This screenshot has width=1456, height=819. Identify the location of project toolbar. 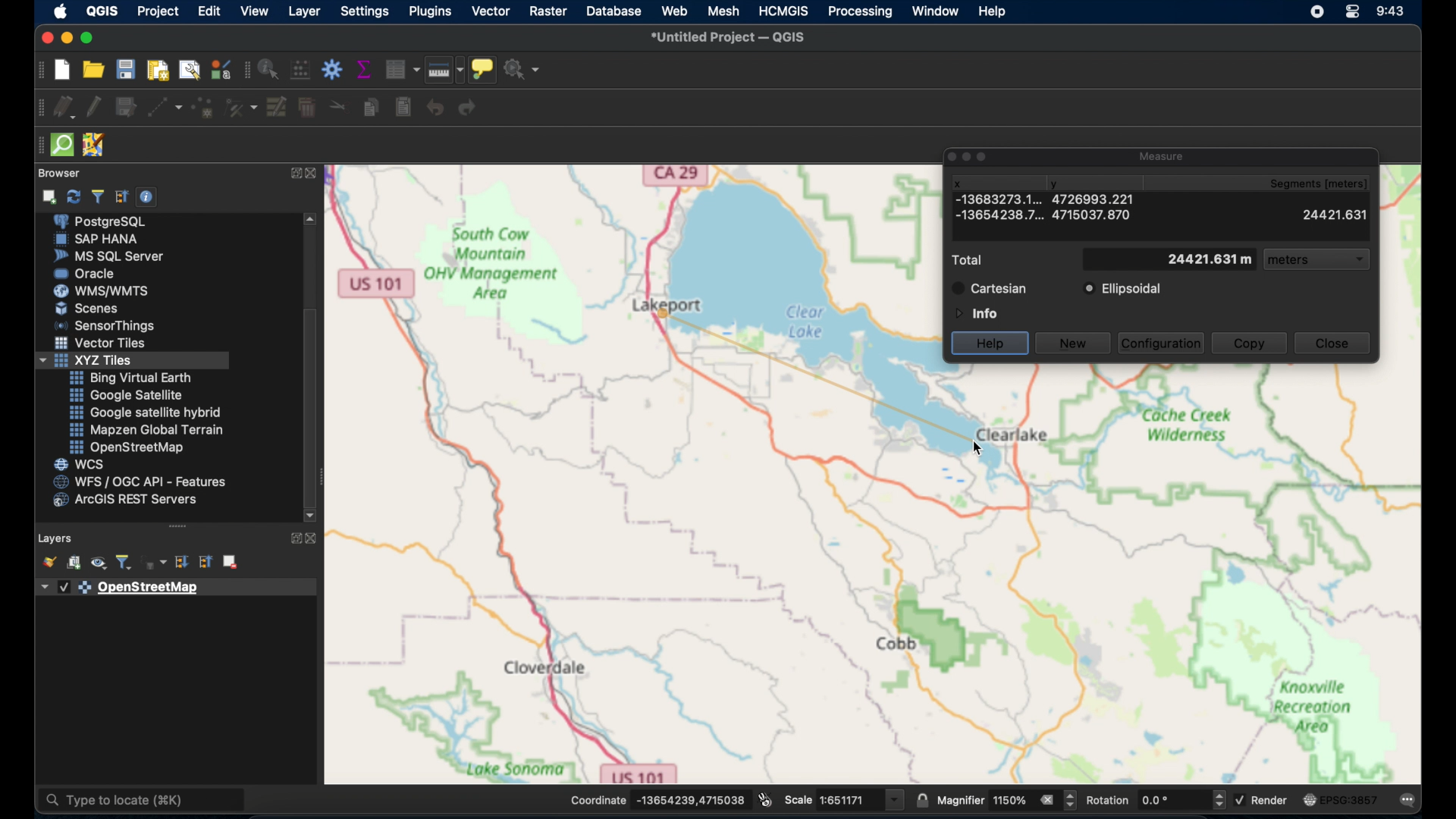
(38, 71).